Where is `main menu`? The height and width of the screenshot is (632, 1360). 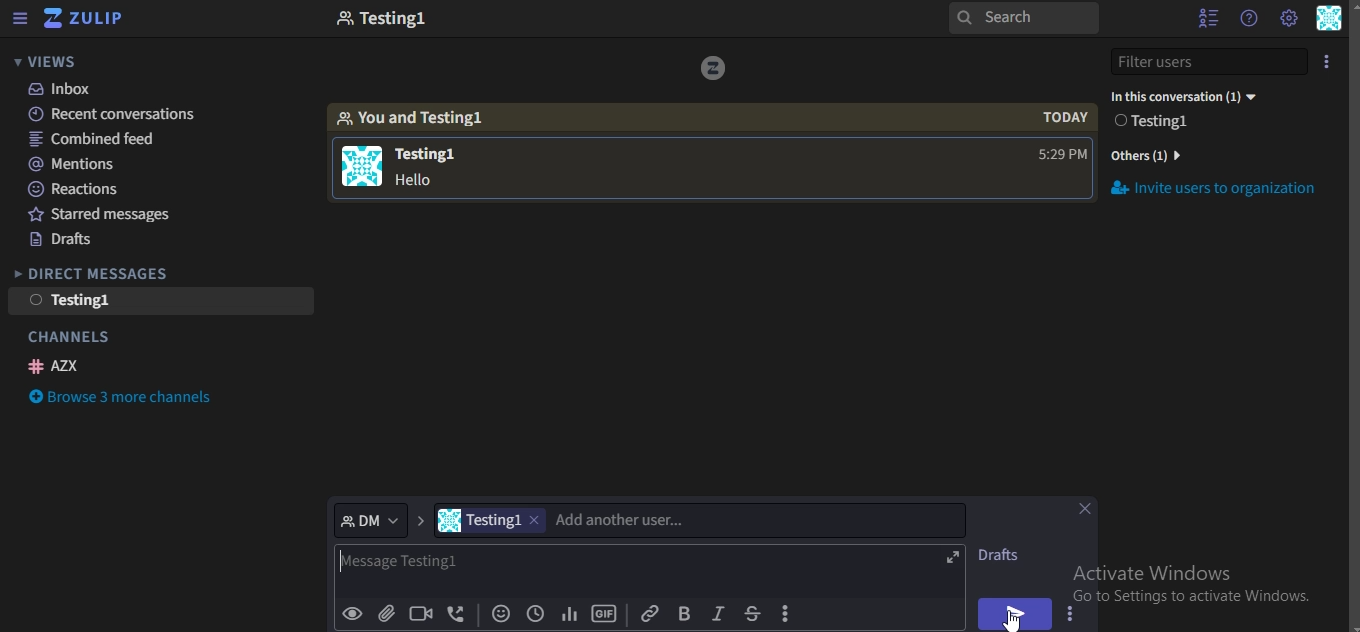 main menu is located at coordinates (1288, 18).